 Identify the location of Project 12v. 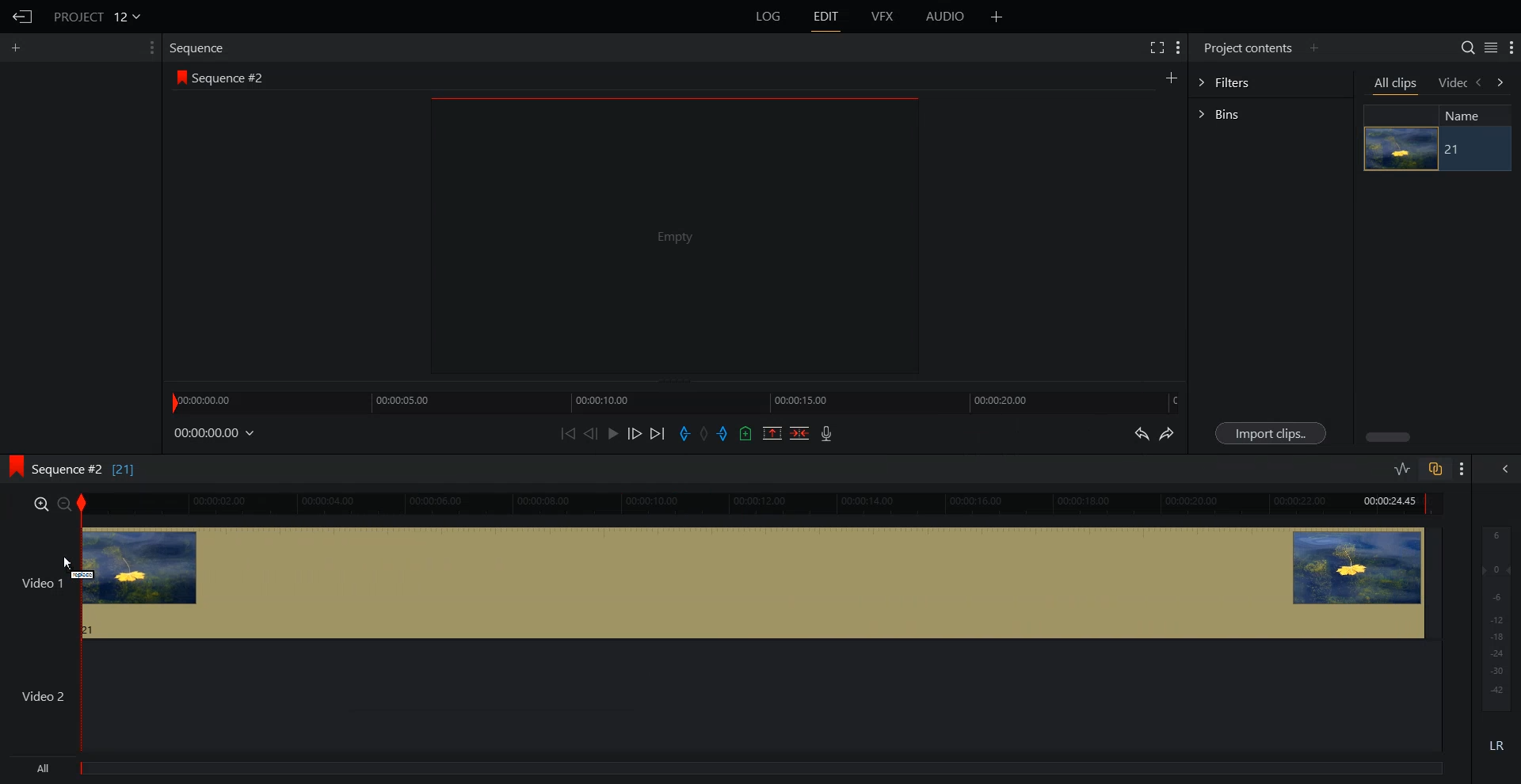
(97, 16).